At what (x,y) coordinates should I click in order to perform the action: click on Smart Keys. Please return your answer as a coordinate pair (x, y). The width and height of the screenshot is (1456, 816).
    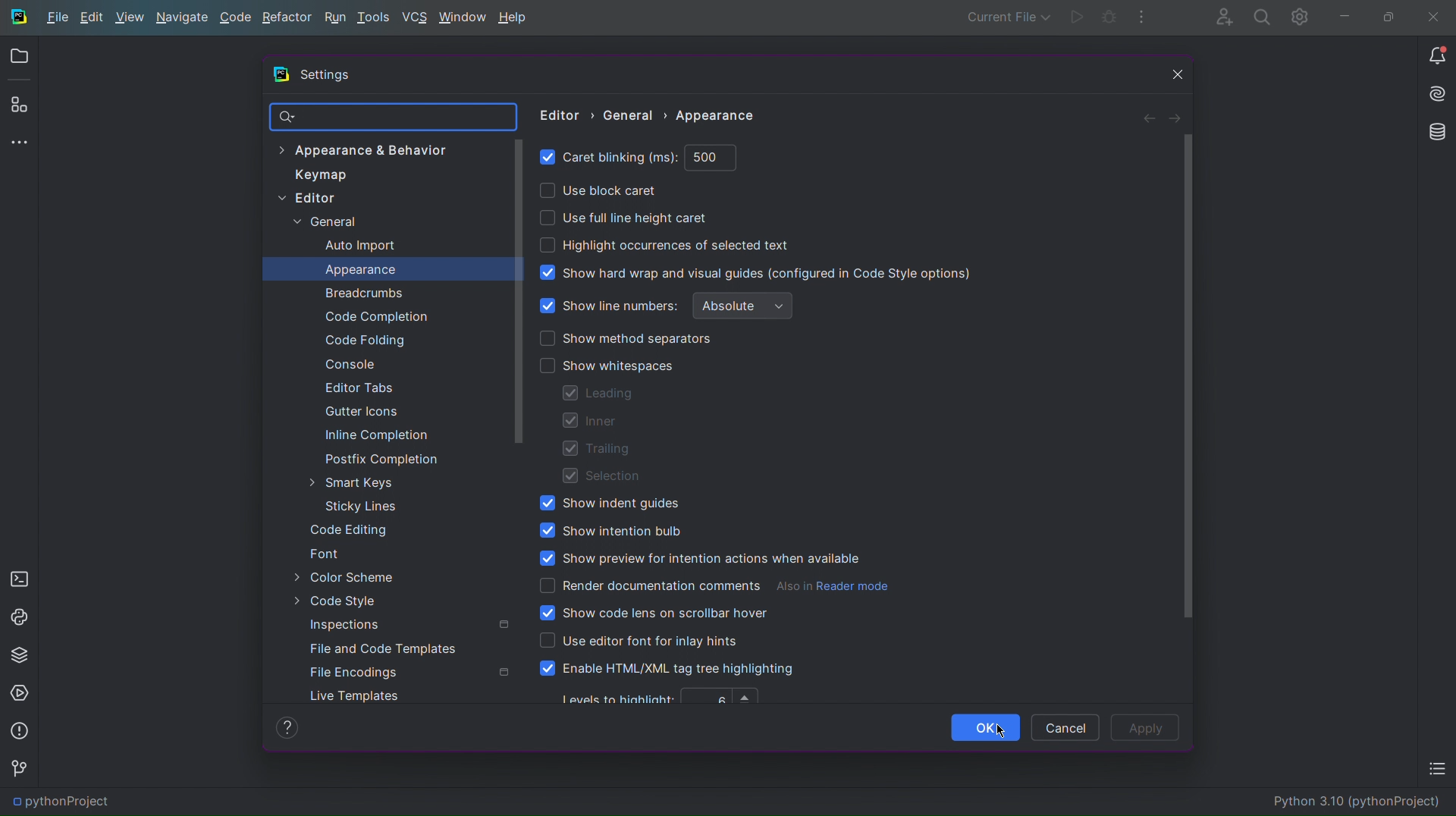
    Looking at the image, I should click on (354, 482).